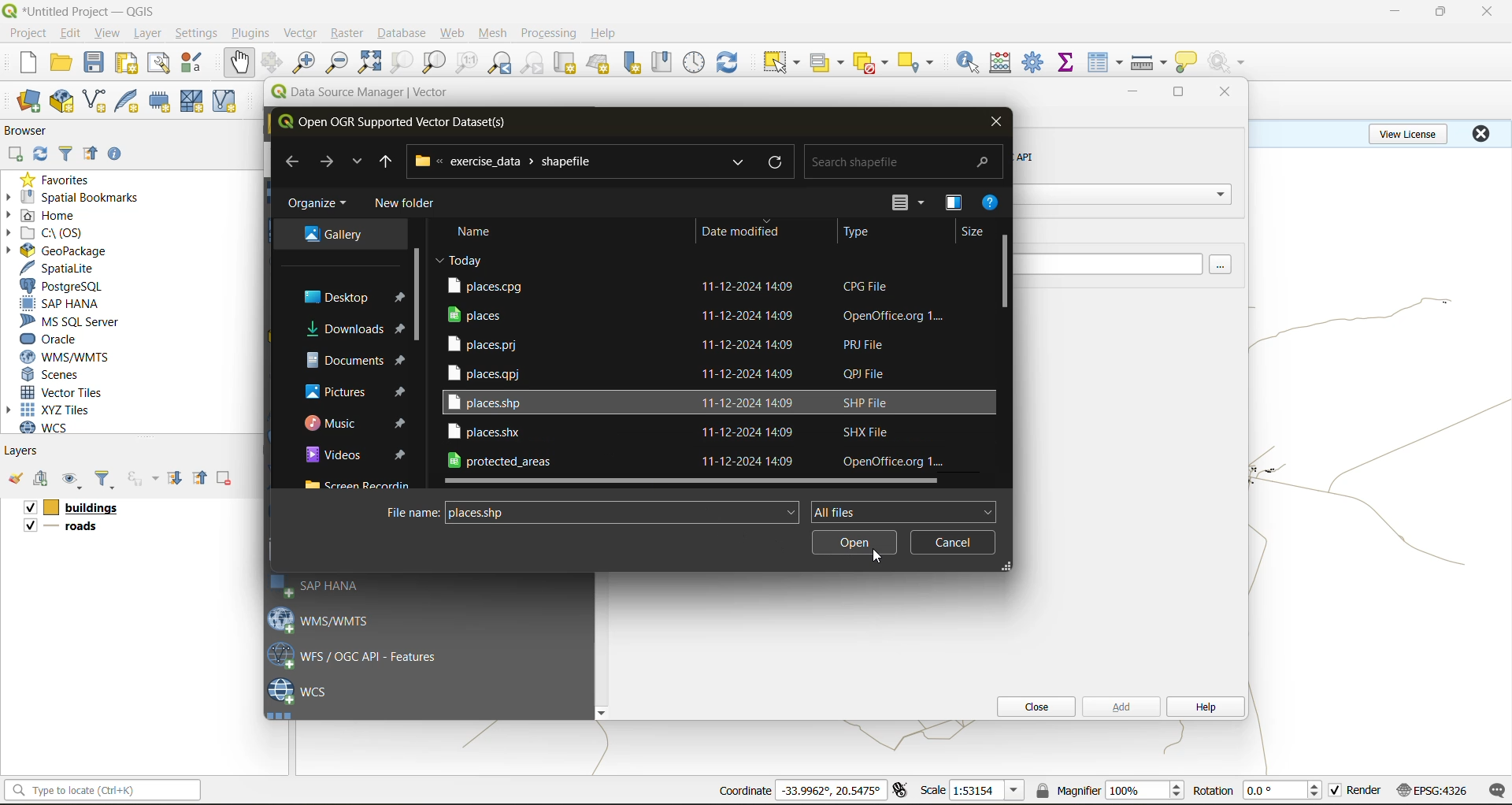 The image size is (1512, 805). Describe the element at coordinates (873, 63) in the screenshot. I see `deselect value` at that location.